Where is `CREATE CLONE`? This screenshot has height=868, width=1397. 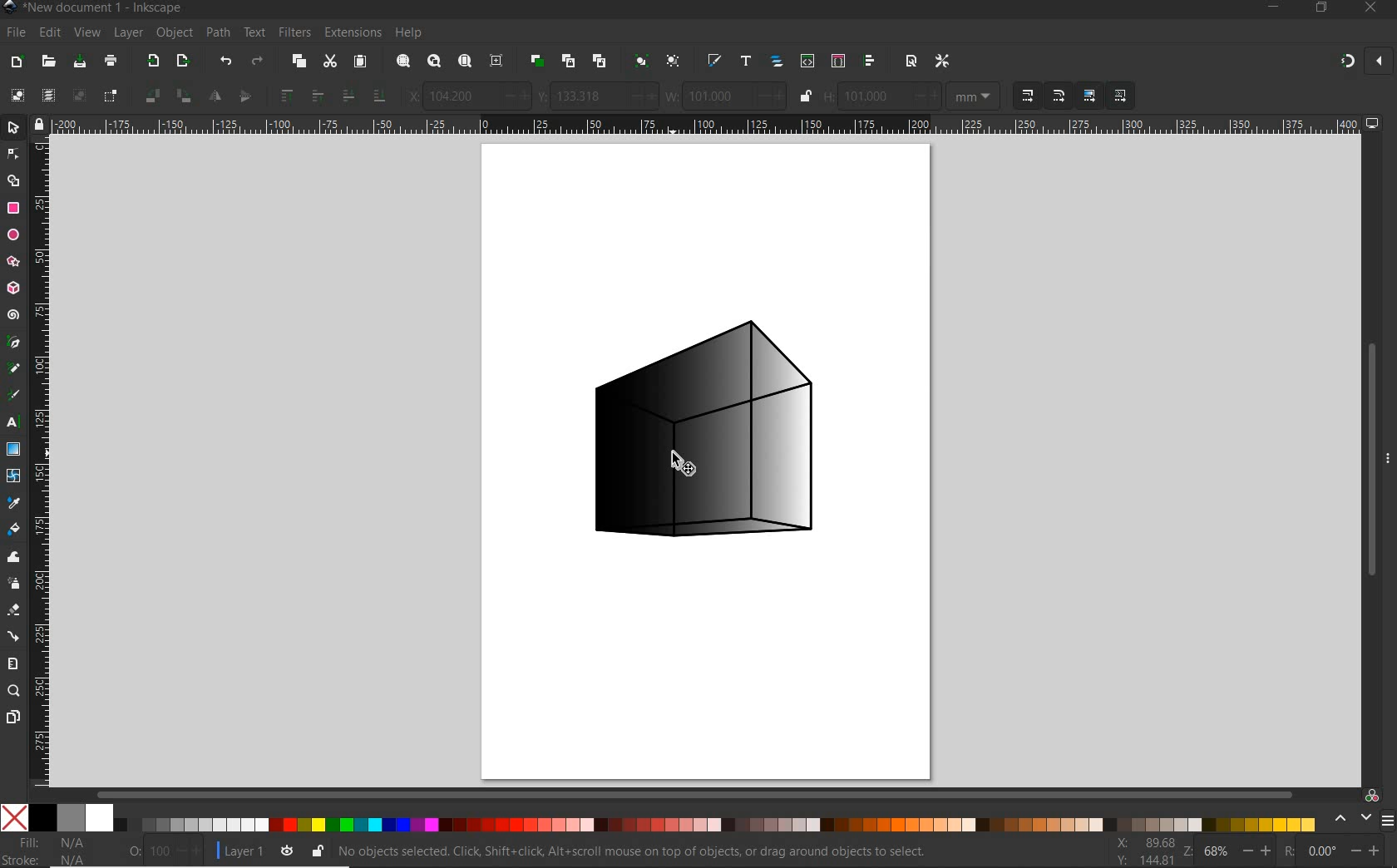
CREATE CLONE is located at coordinates (569, 60).